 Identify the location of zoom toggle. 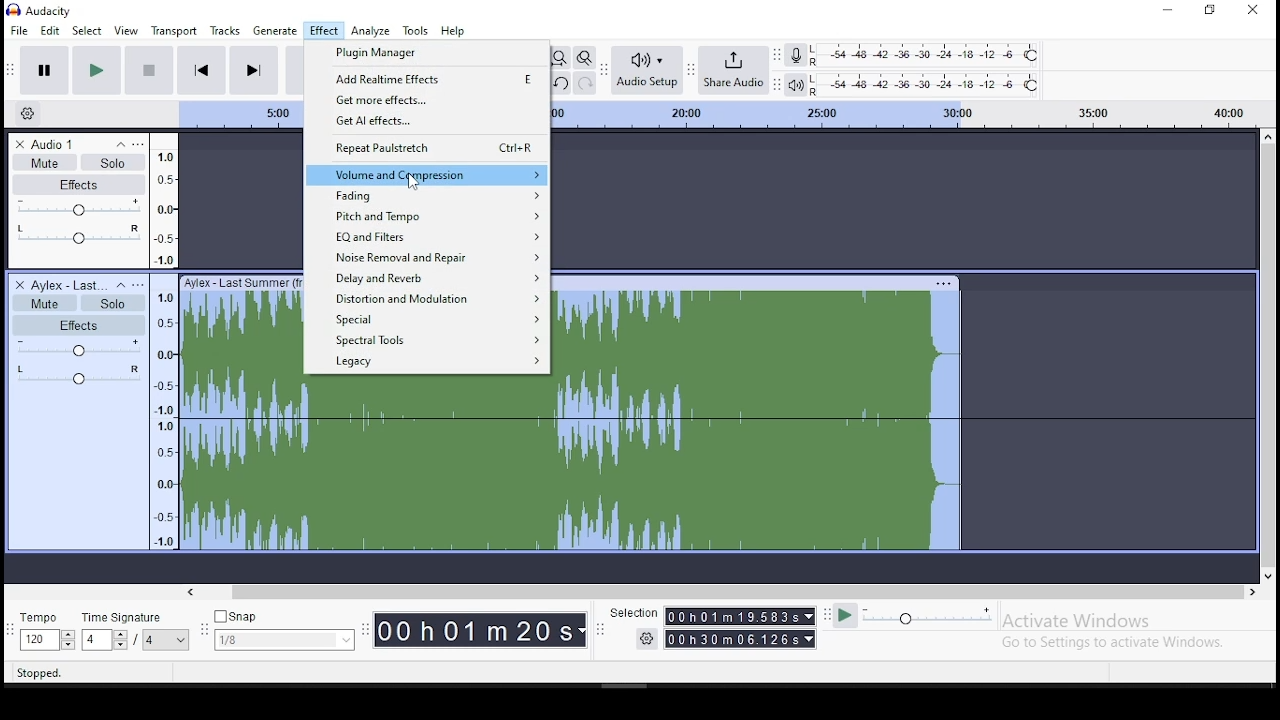
(584, 57).